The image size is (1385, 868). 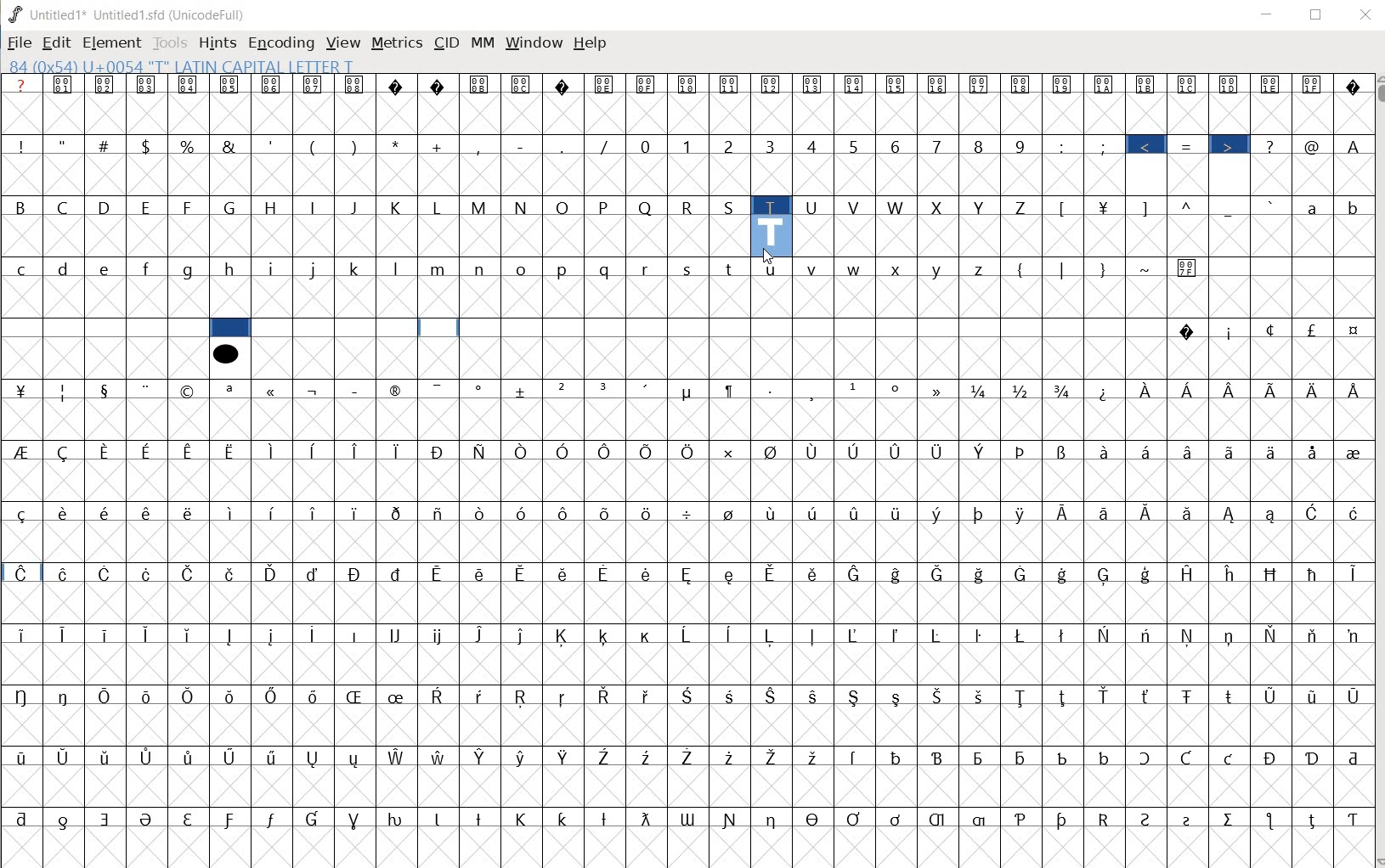 What do you see at coordinates (1352, 450) in the screenshot?
I see `Symbol` at bounding box center [1352, 450].